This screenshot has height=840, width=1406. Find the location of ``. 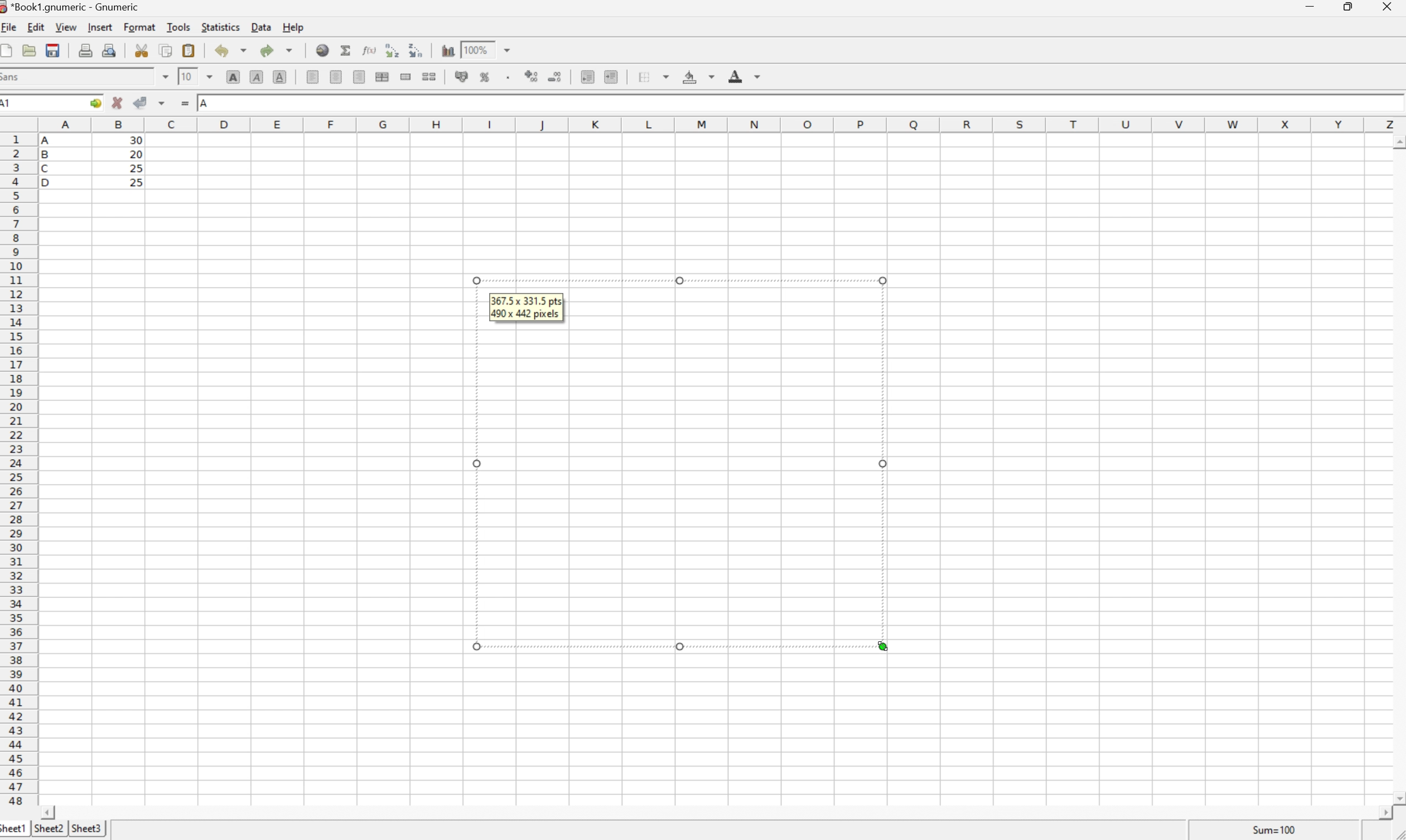

 is located at coordinates (471, 278).